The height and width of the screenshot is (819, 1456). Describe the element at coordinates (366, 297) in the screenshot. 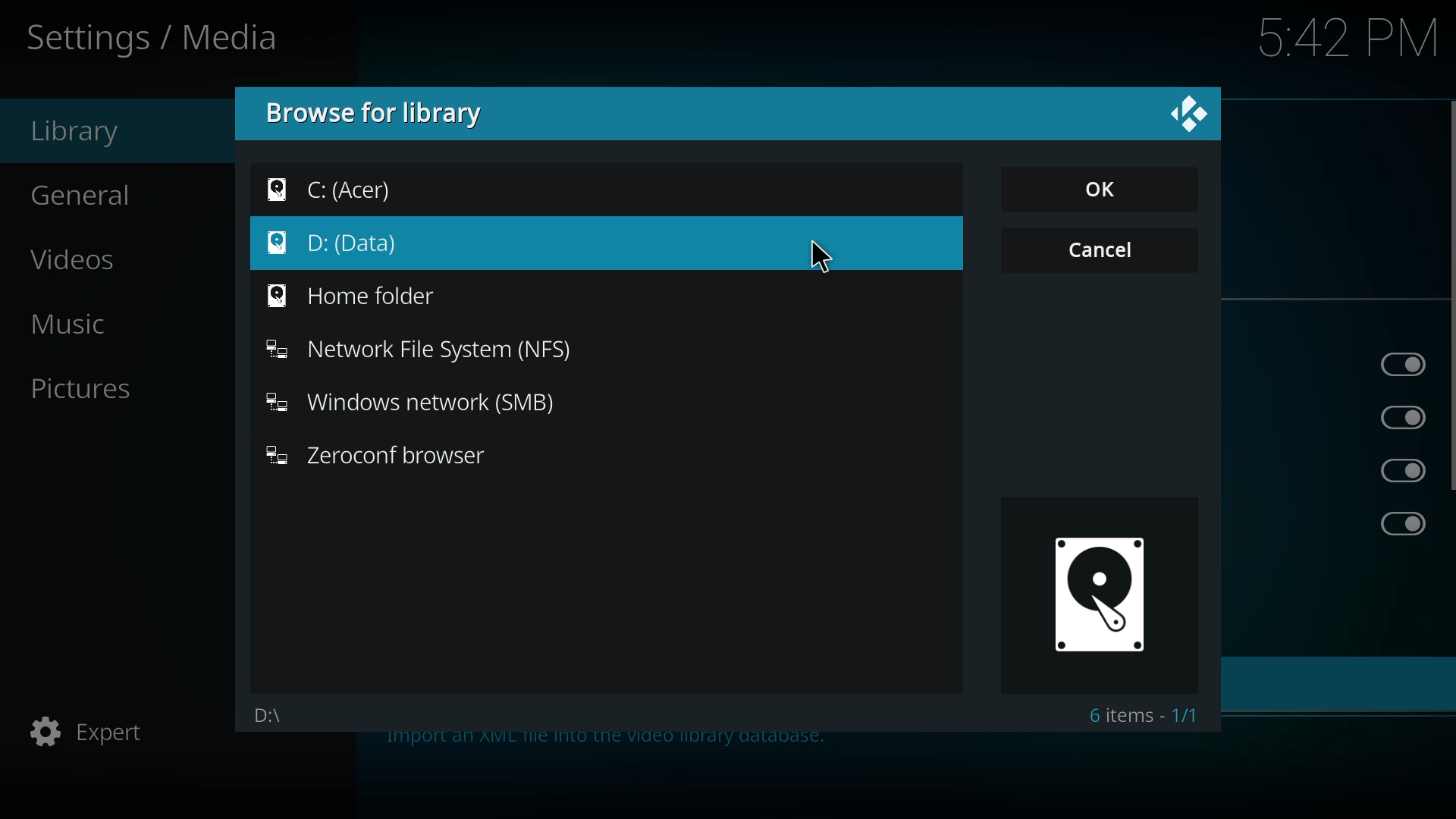

I see `home` at that location.